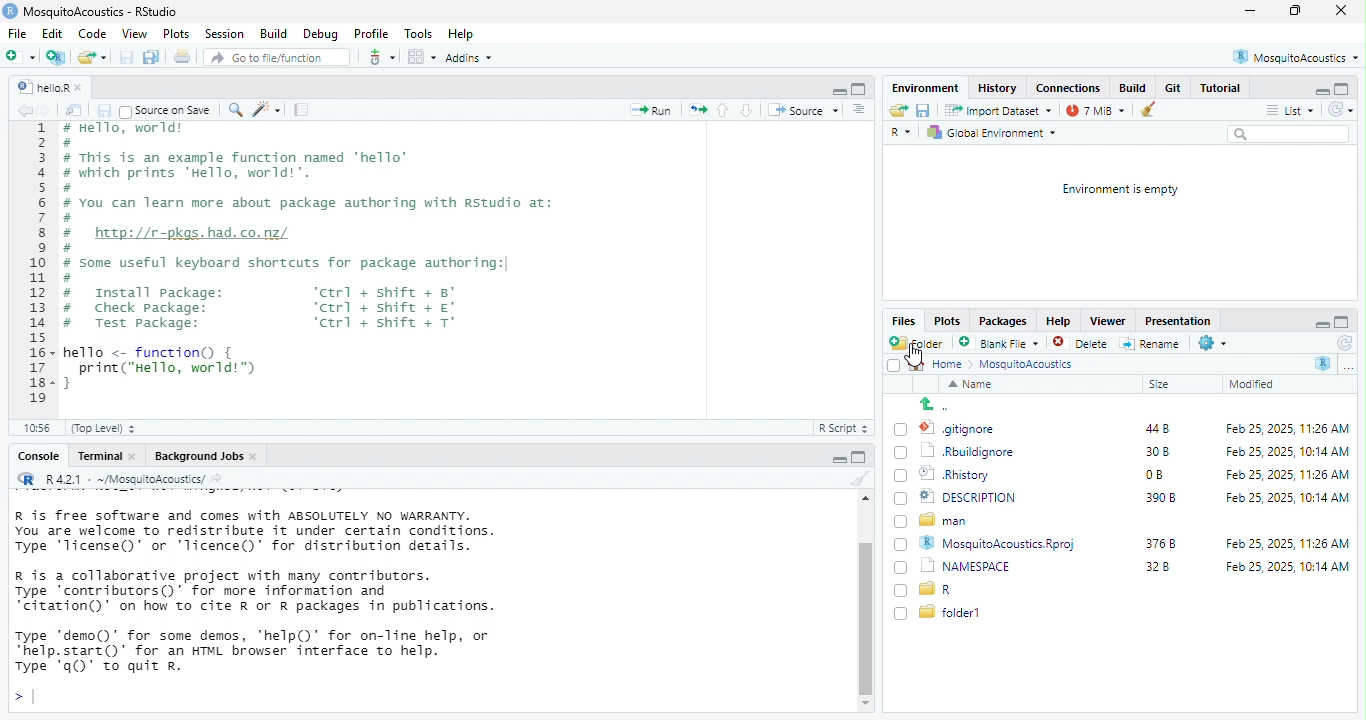  Describe the element at coordinates (946, 590) in the screenshot. I see `r` at that location.